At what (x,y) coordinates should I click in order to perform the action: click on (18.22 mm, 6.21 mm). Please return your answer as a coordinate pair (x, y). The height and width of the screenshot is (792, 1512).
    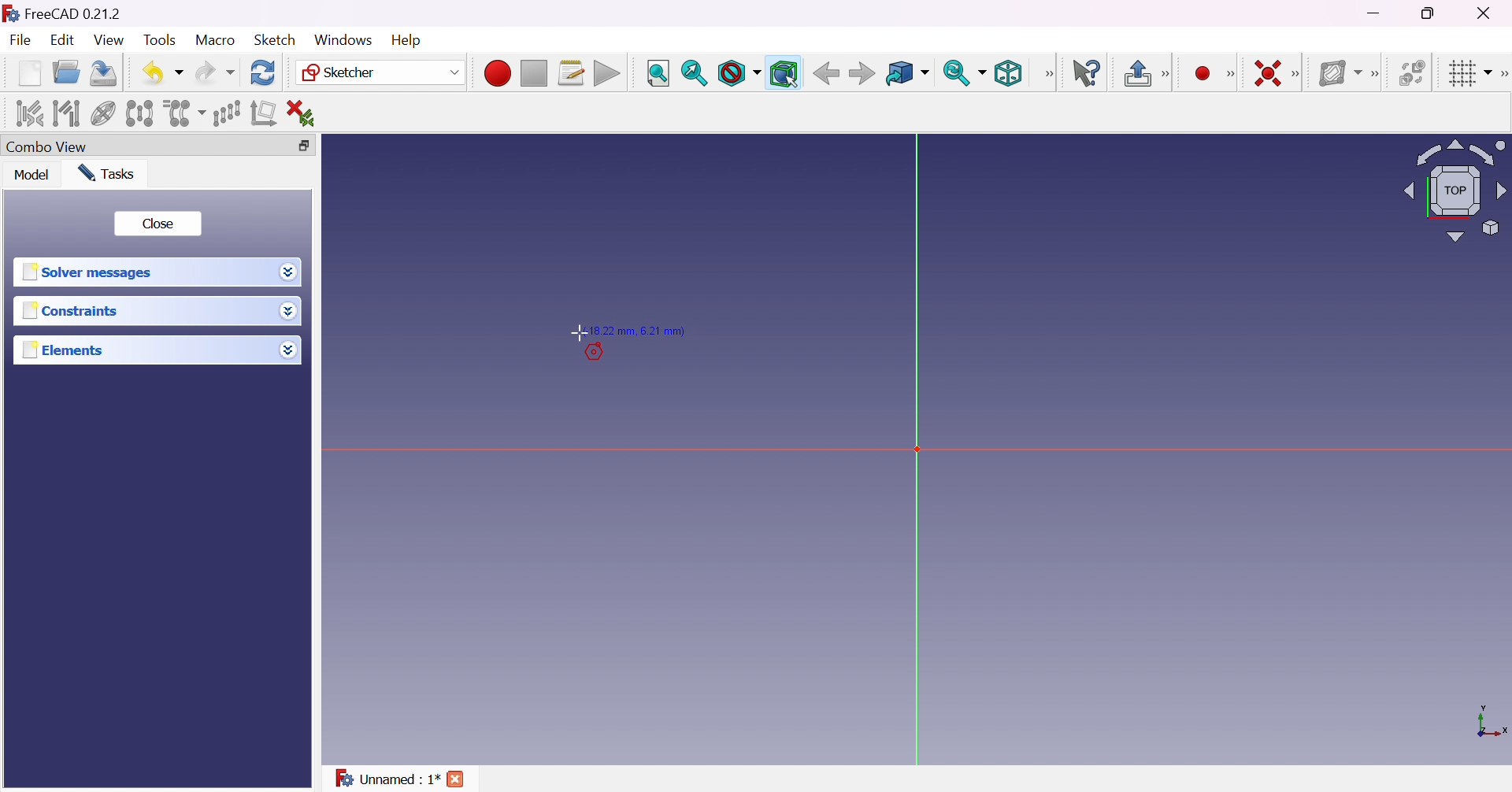
    Looking at the image, I should click on (636, 331).